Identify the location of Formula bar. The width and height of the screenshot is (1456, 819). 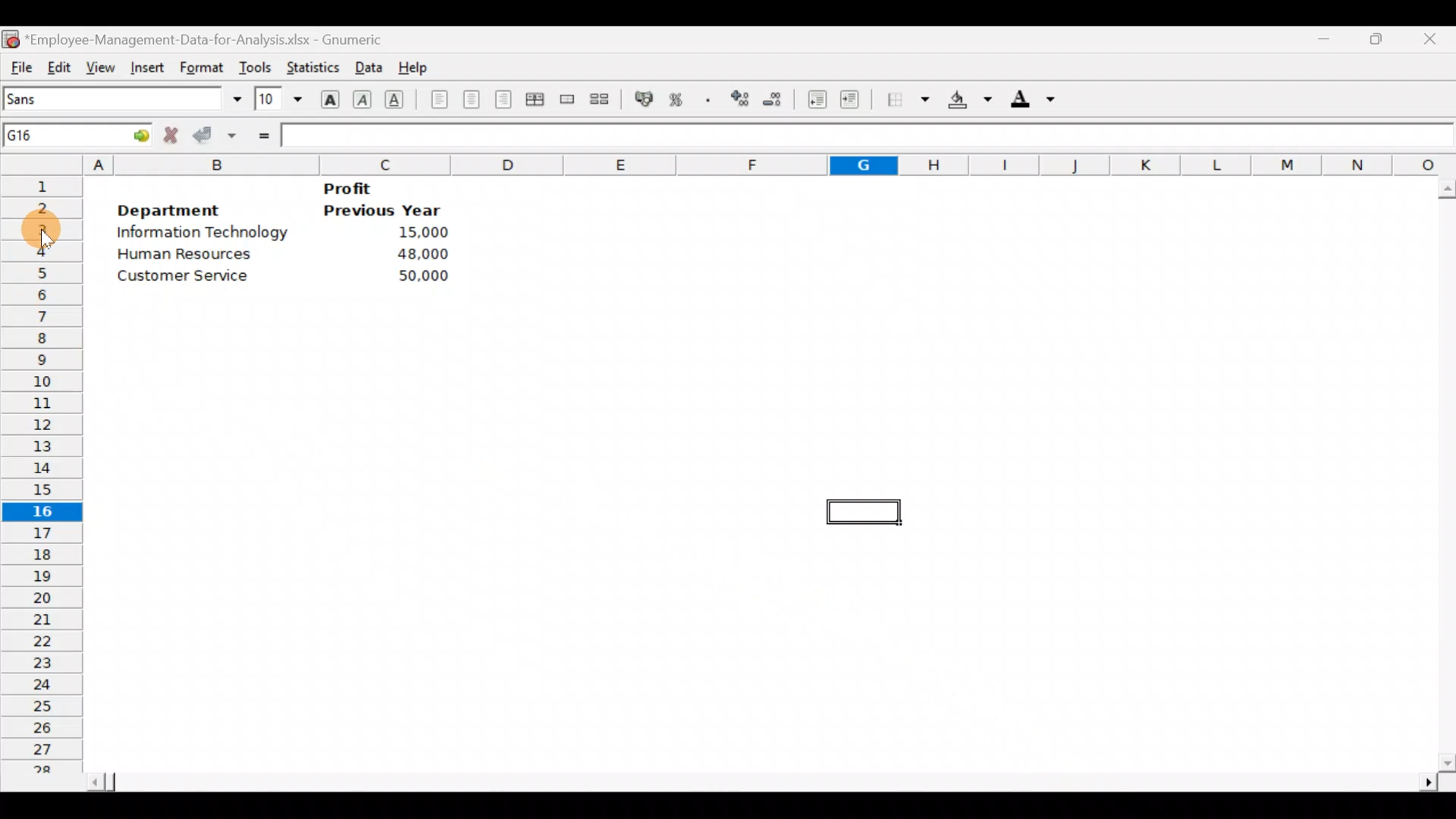
(868, 136).